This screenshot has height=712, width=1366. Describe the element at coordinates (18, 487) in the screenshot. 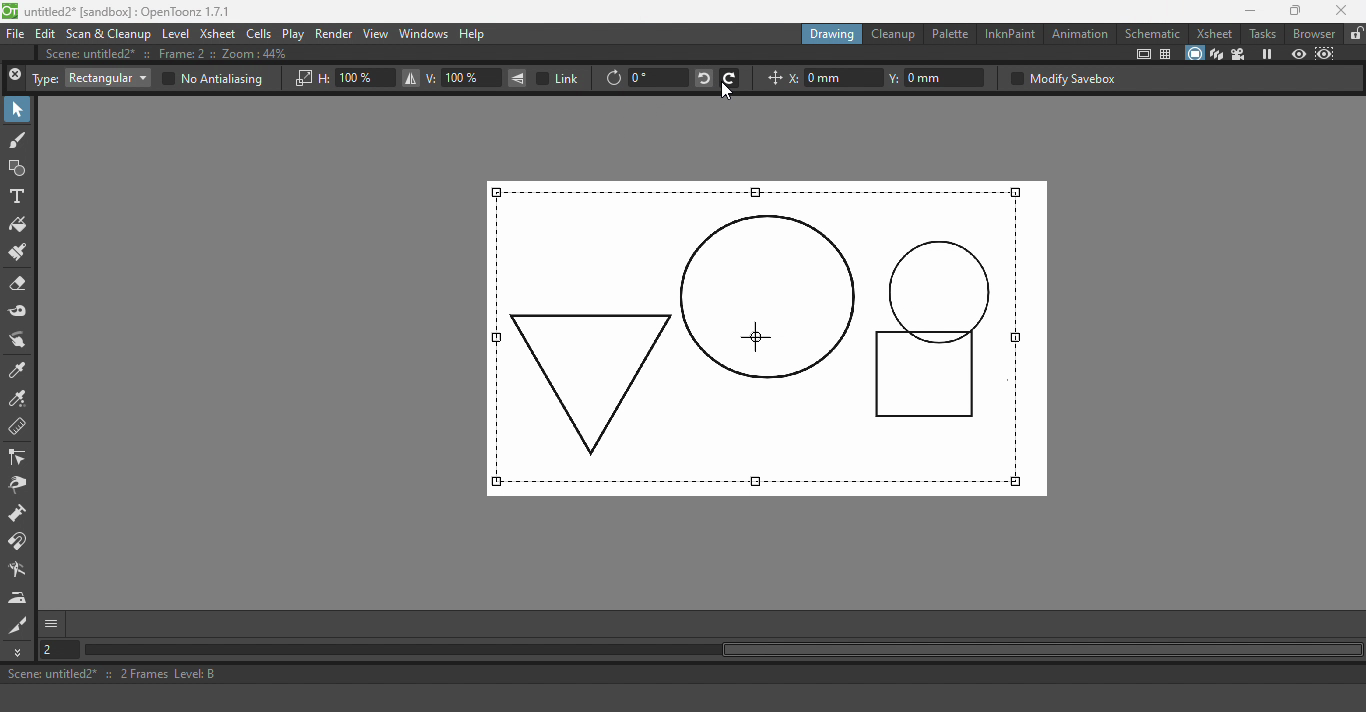

I see `Pinch tool` at that location.